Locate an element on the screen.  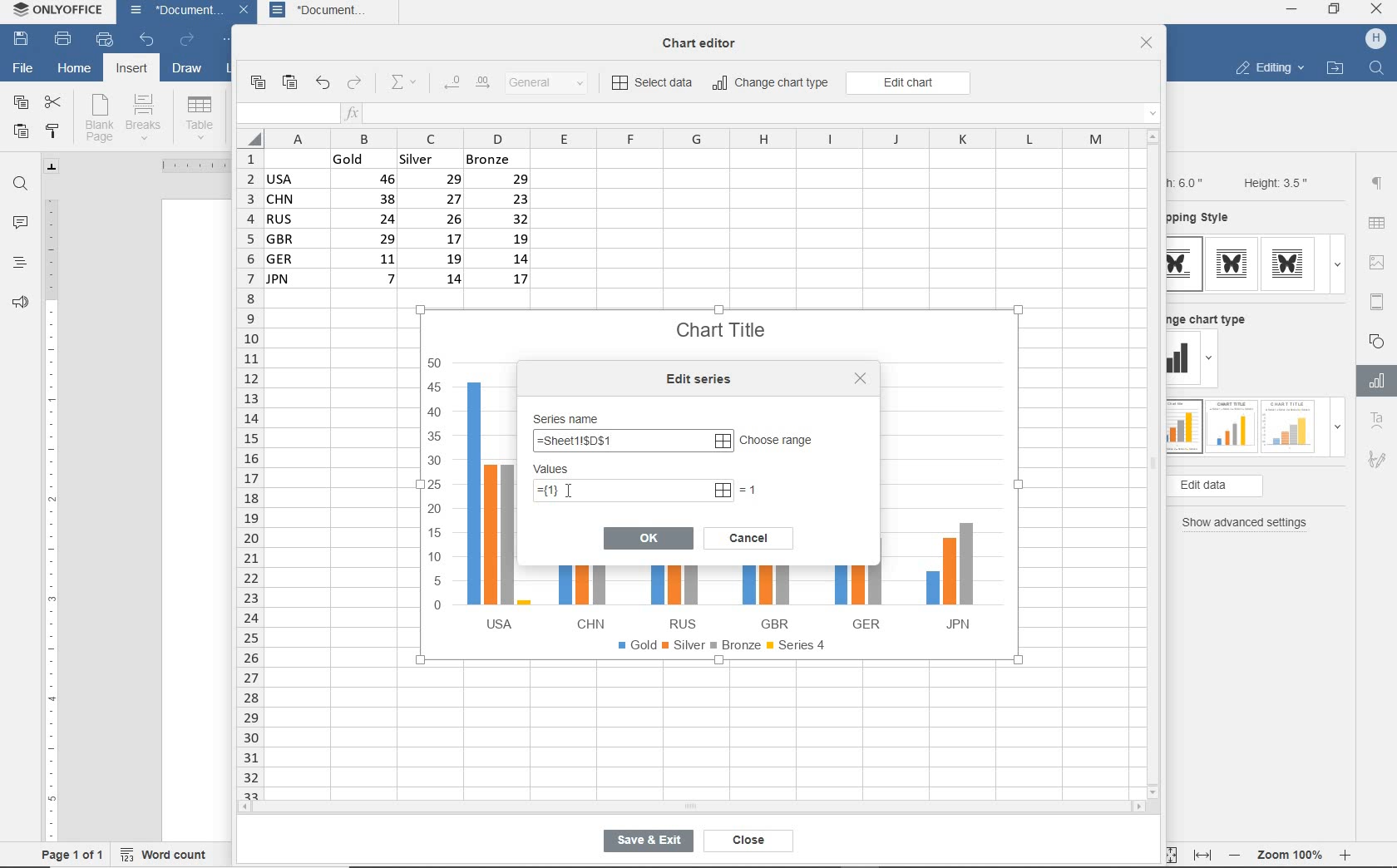
restore down is located at coordinates (1335, 11).